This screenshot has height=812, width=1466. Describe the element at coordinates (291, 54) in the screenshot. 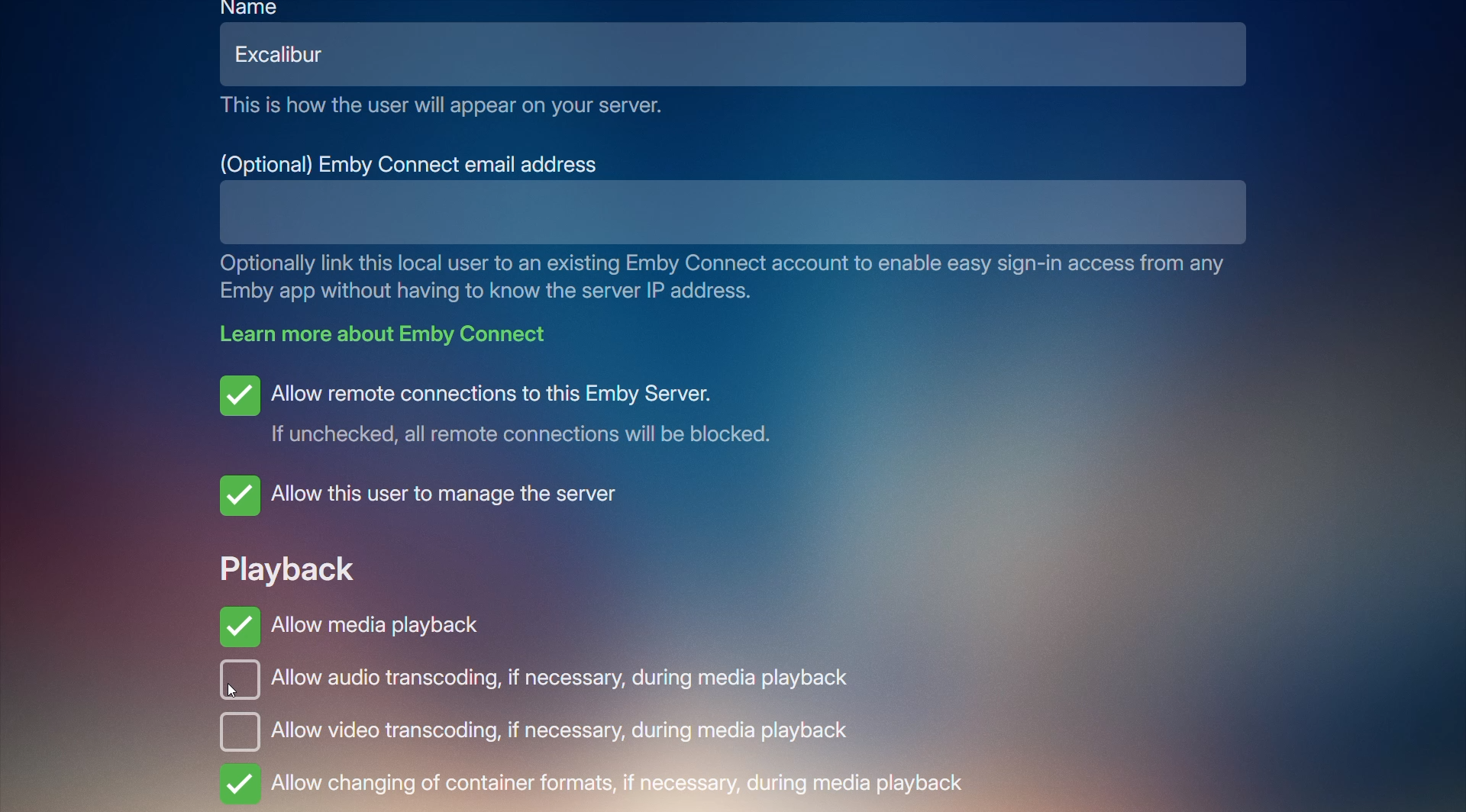

I see `Excalibur` at that location.